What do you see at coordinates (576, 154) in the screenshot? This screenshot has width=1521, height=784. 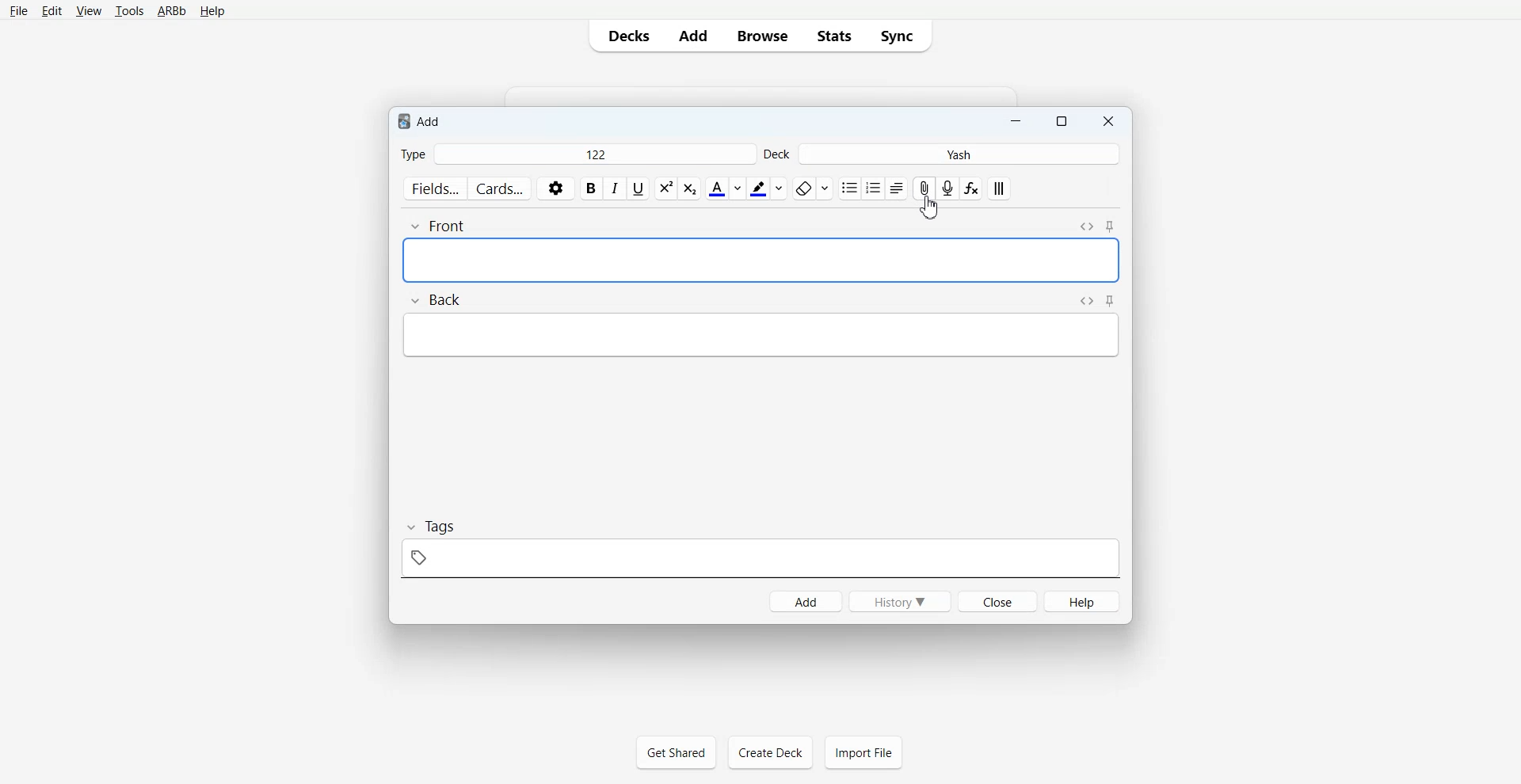 I see `Type` at bounding box center [576, 154].